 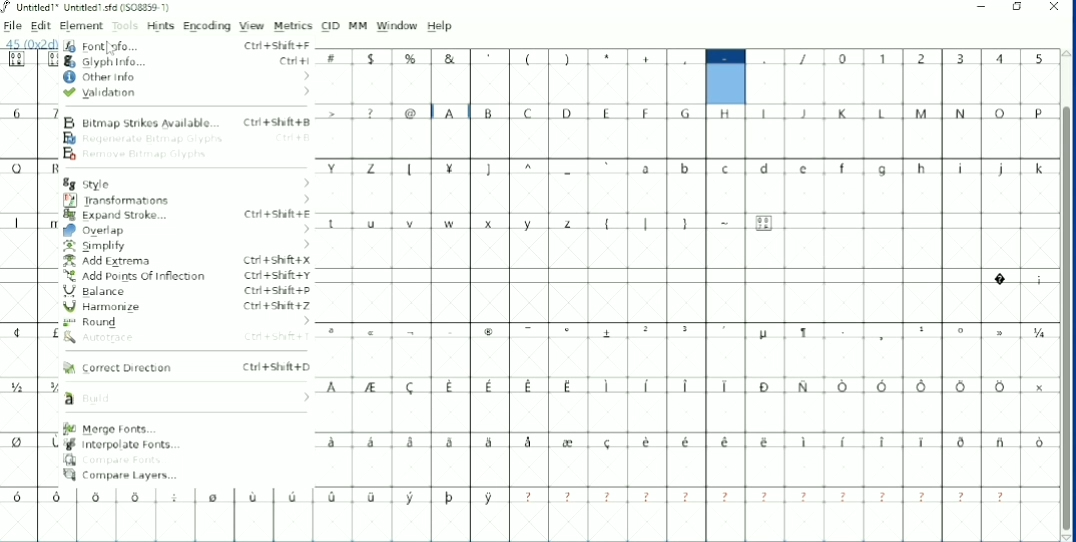 What do you see at coordinates (81, 26) in the screenshot?
I see `Element` at bounding box center [81, 26].